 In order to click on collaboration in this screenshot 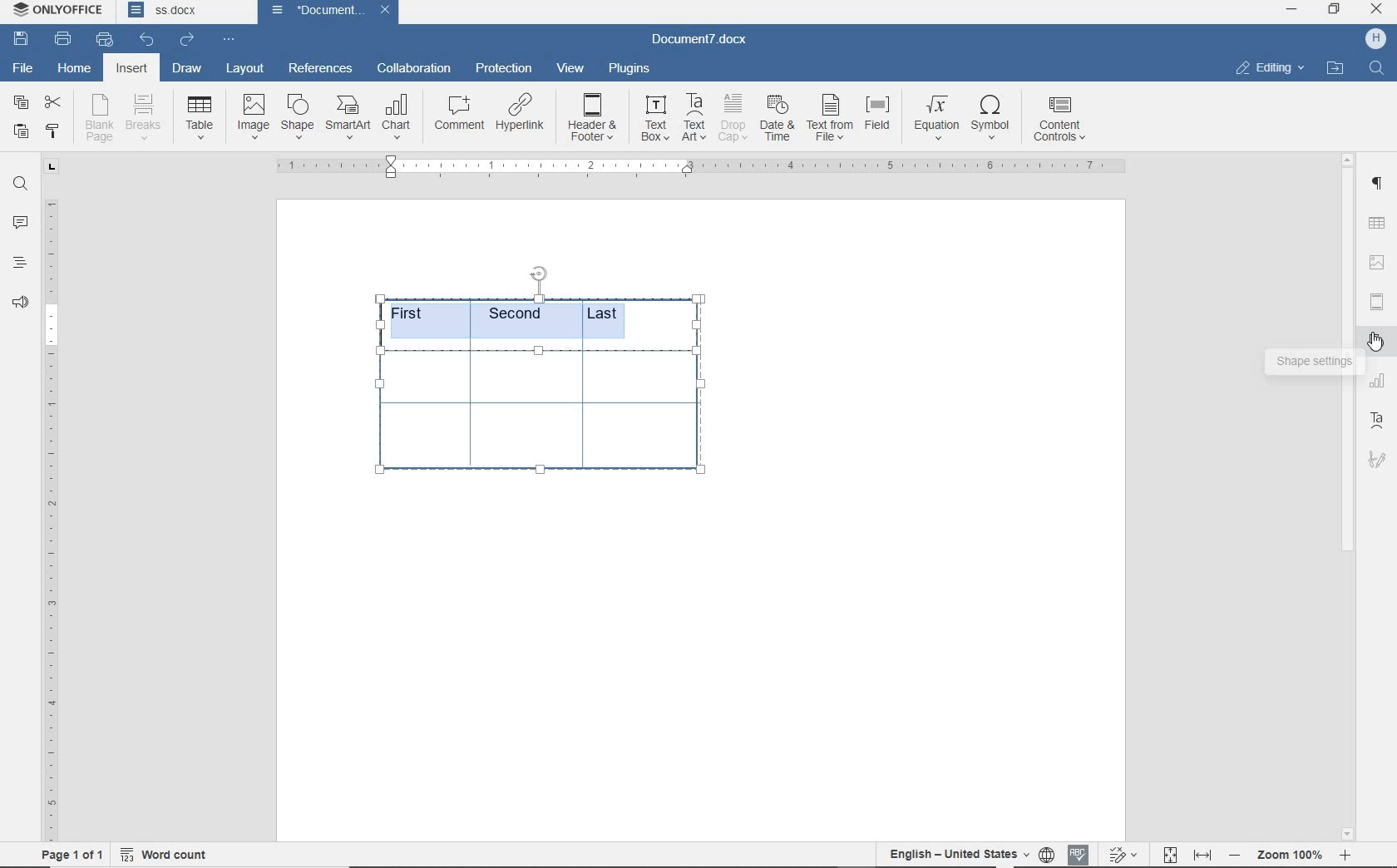, I will do `click(416, 69)`.